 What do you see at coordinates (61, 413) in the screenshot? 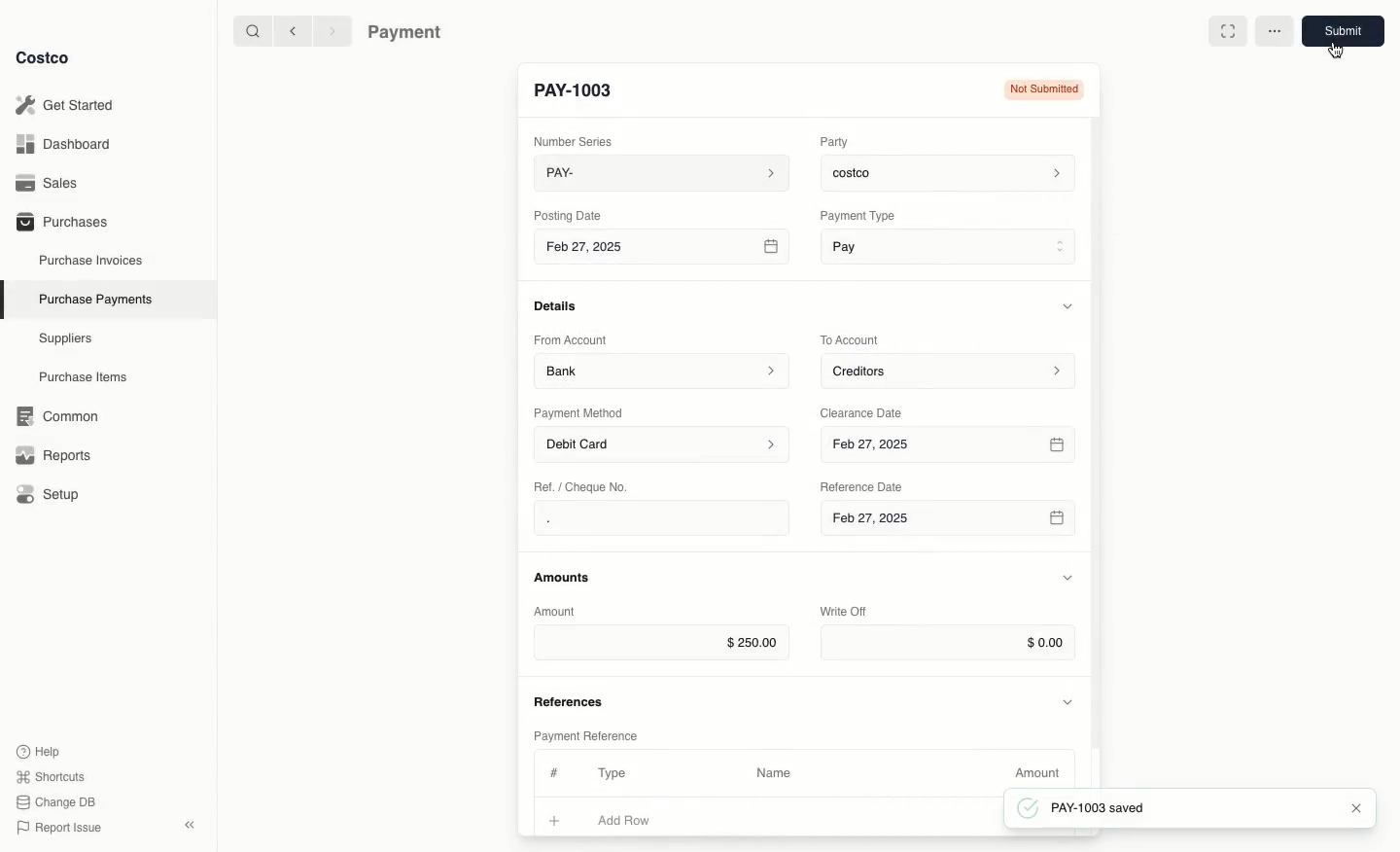
I see `‘Common` at bounding box center [61, 413].